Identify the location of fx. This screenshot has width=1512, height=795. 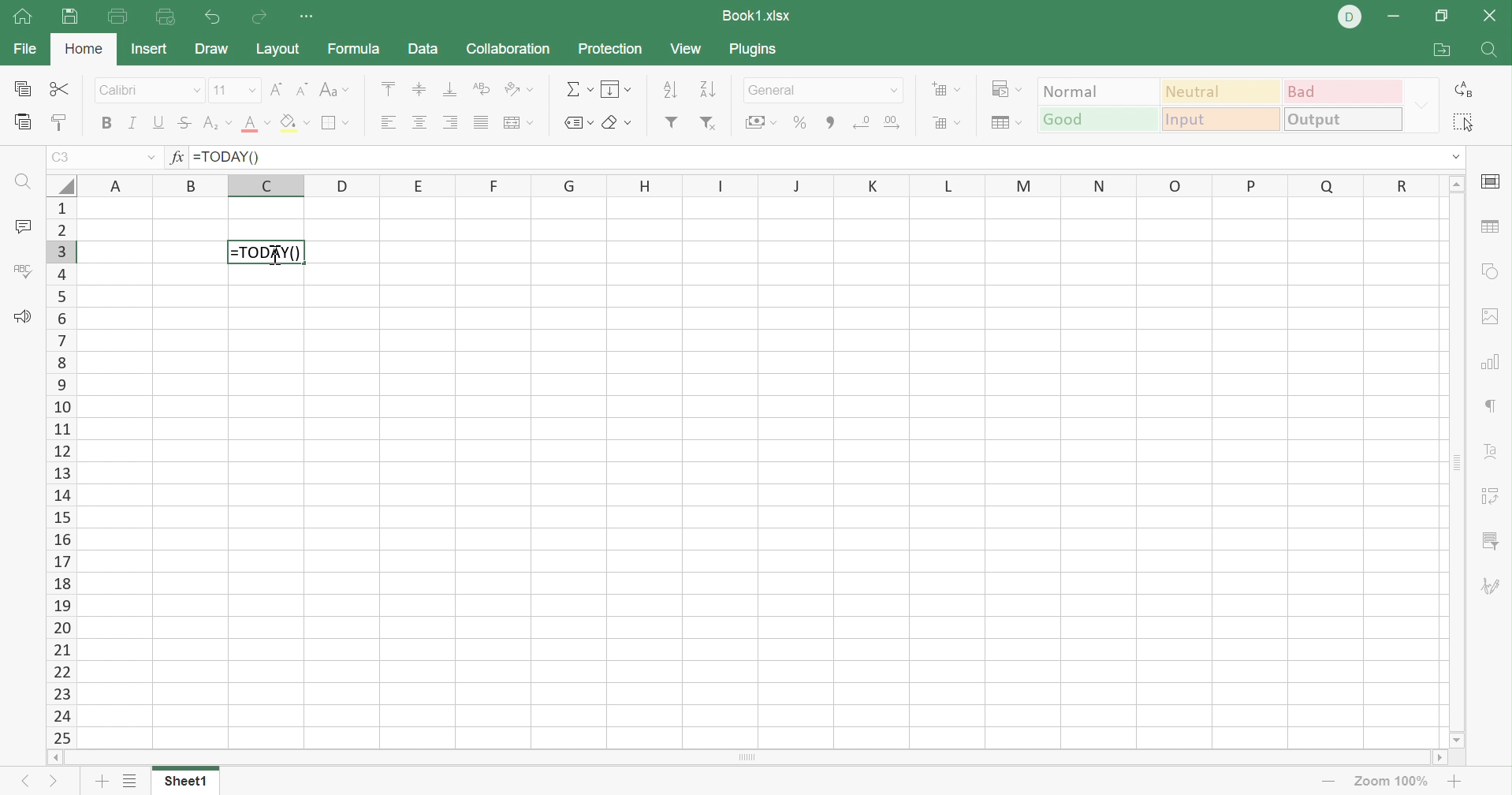
(177, 157).